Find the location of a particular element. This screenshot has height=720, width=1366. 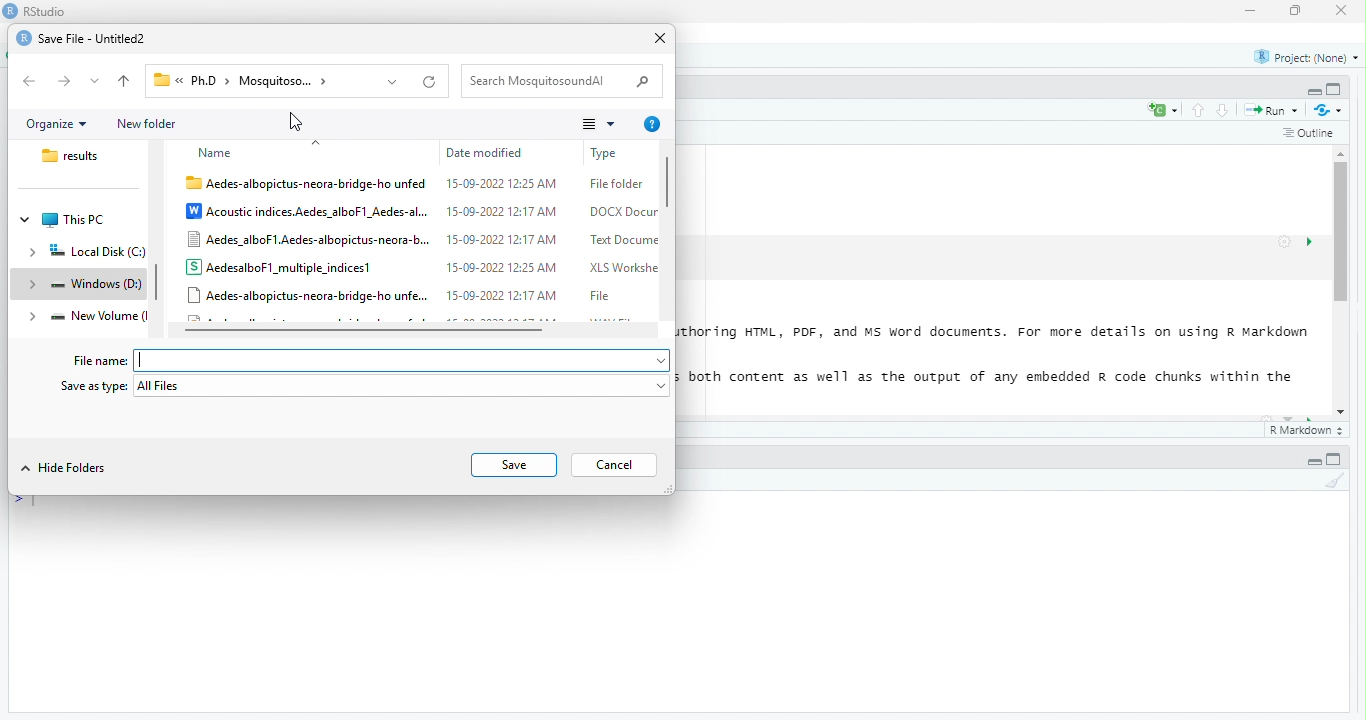

«Backward  is located at coordinates (31, 81).